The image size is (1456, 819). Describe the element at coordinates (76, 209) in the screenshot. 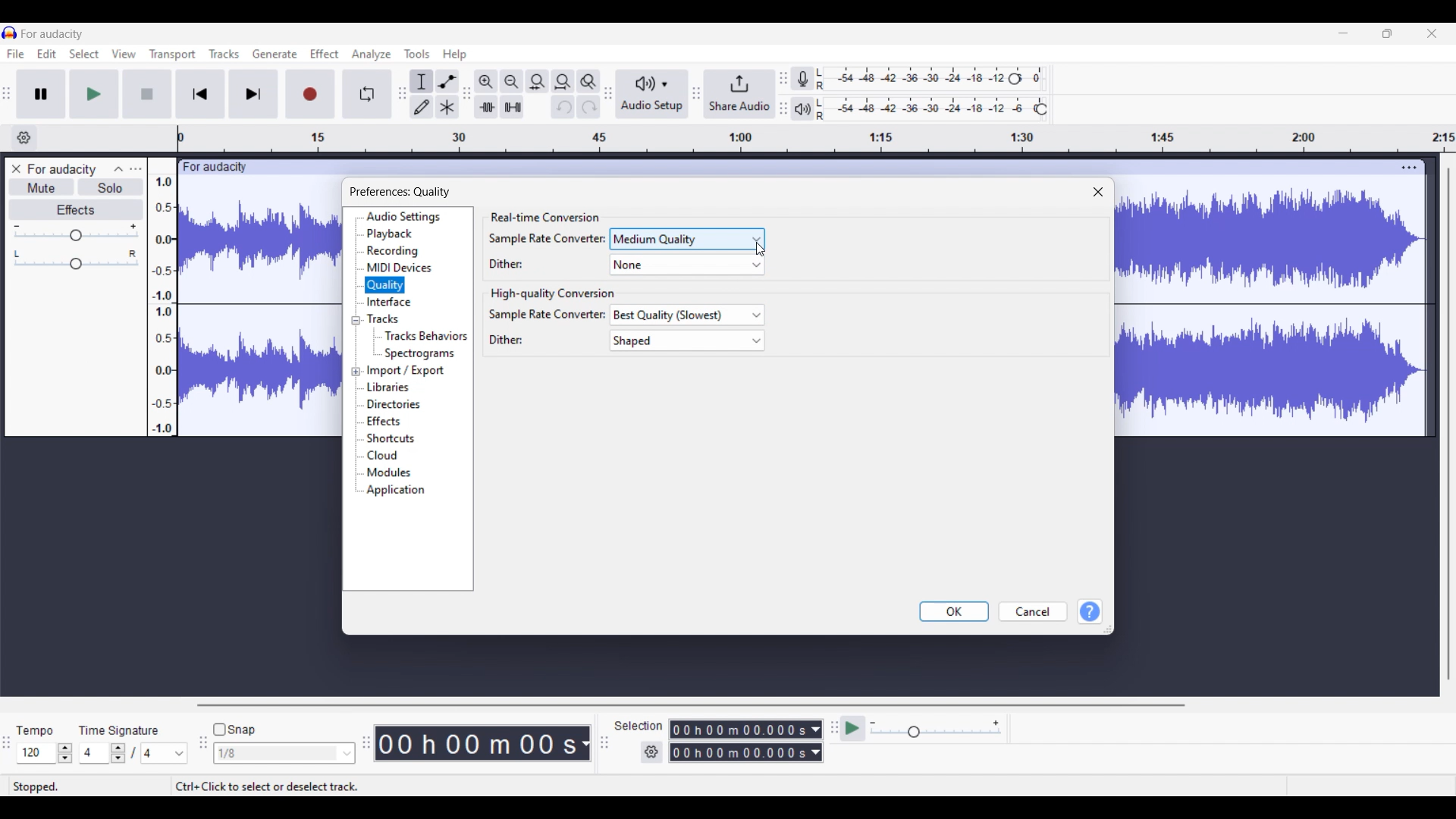

I see `Effects` at that location.